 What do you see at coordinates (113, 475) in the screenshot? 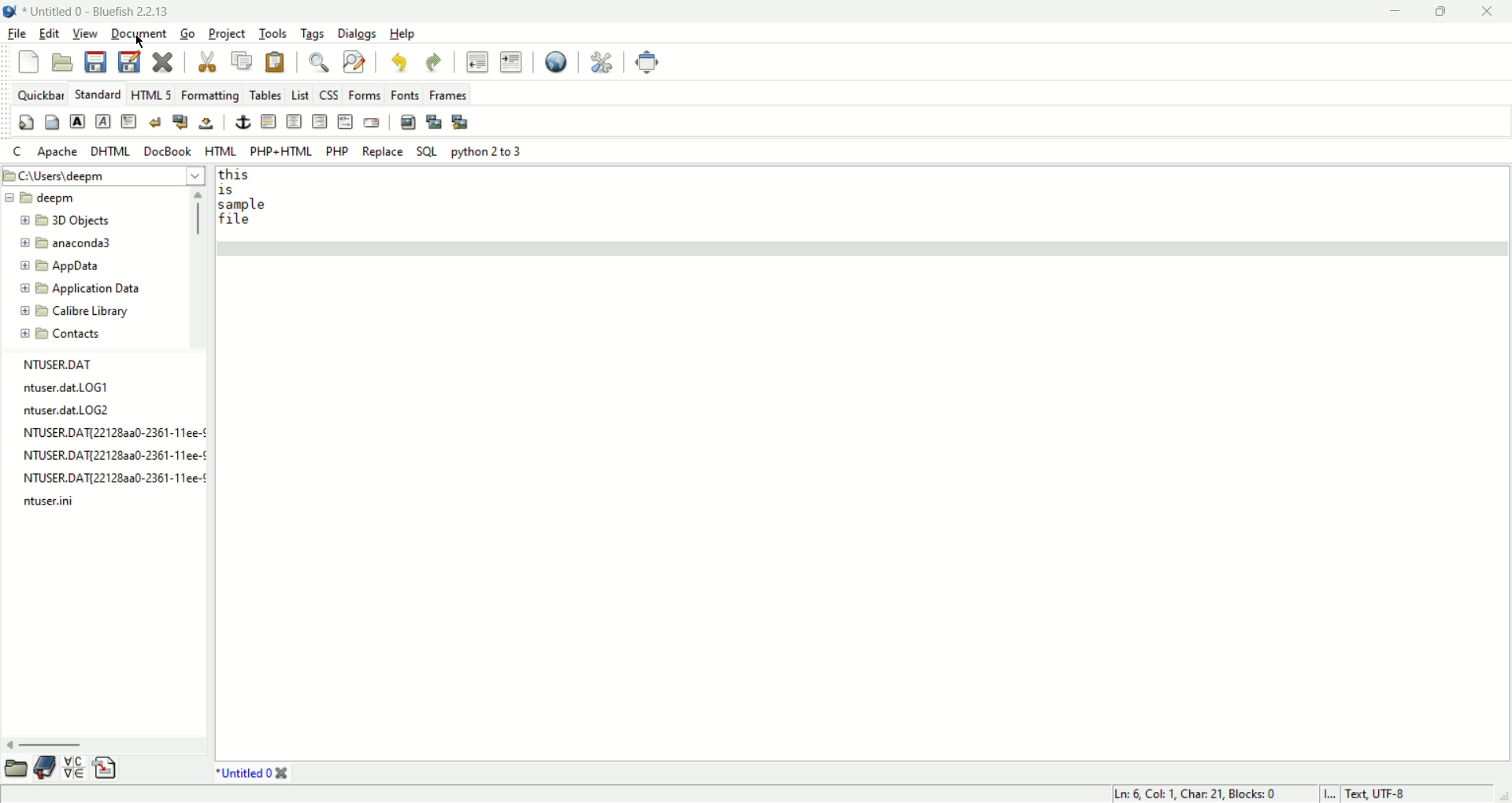
I see `NTUSER.DAT{22128aa0-2361-11ee` at bounding box center [113, 475].